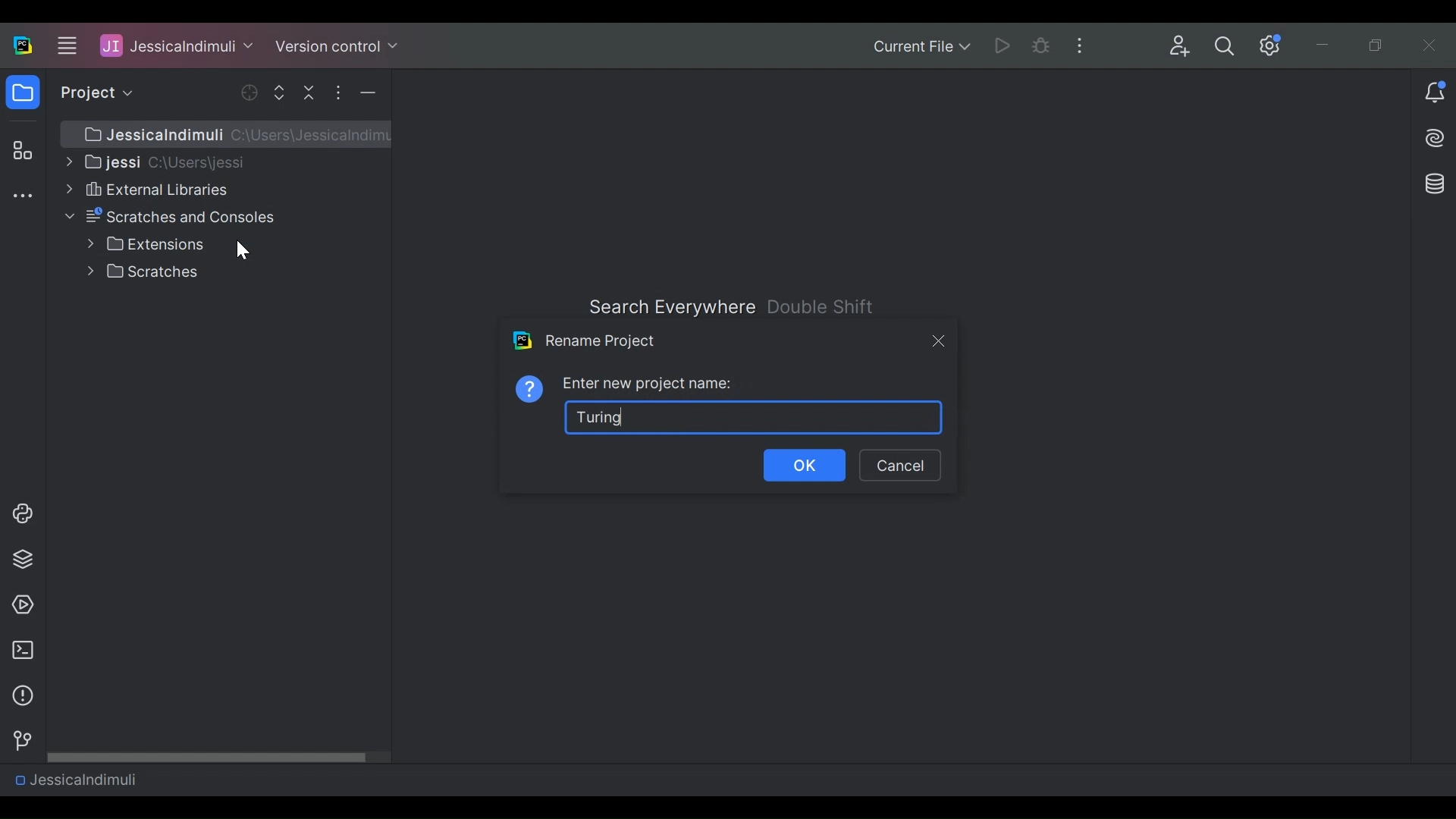  I want to click on folder, so click(24, 95).